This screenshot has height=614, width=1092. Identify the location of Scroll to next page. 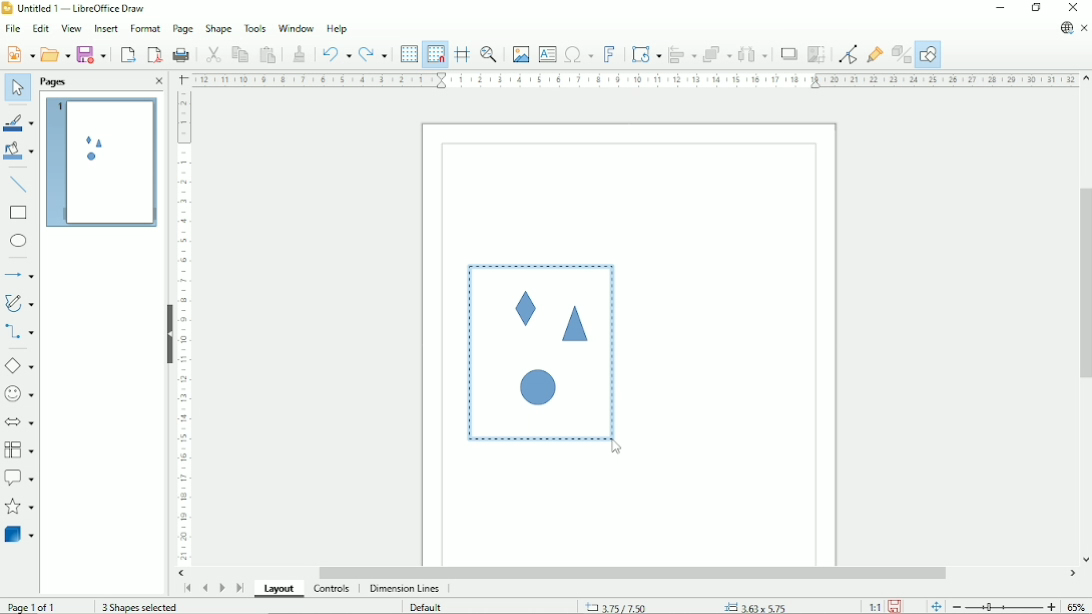
(221, 587).